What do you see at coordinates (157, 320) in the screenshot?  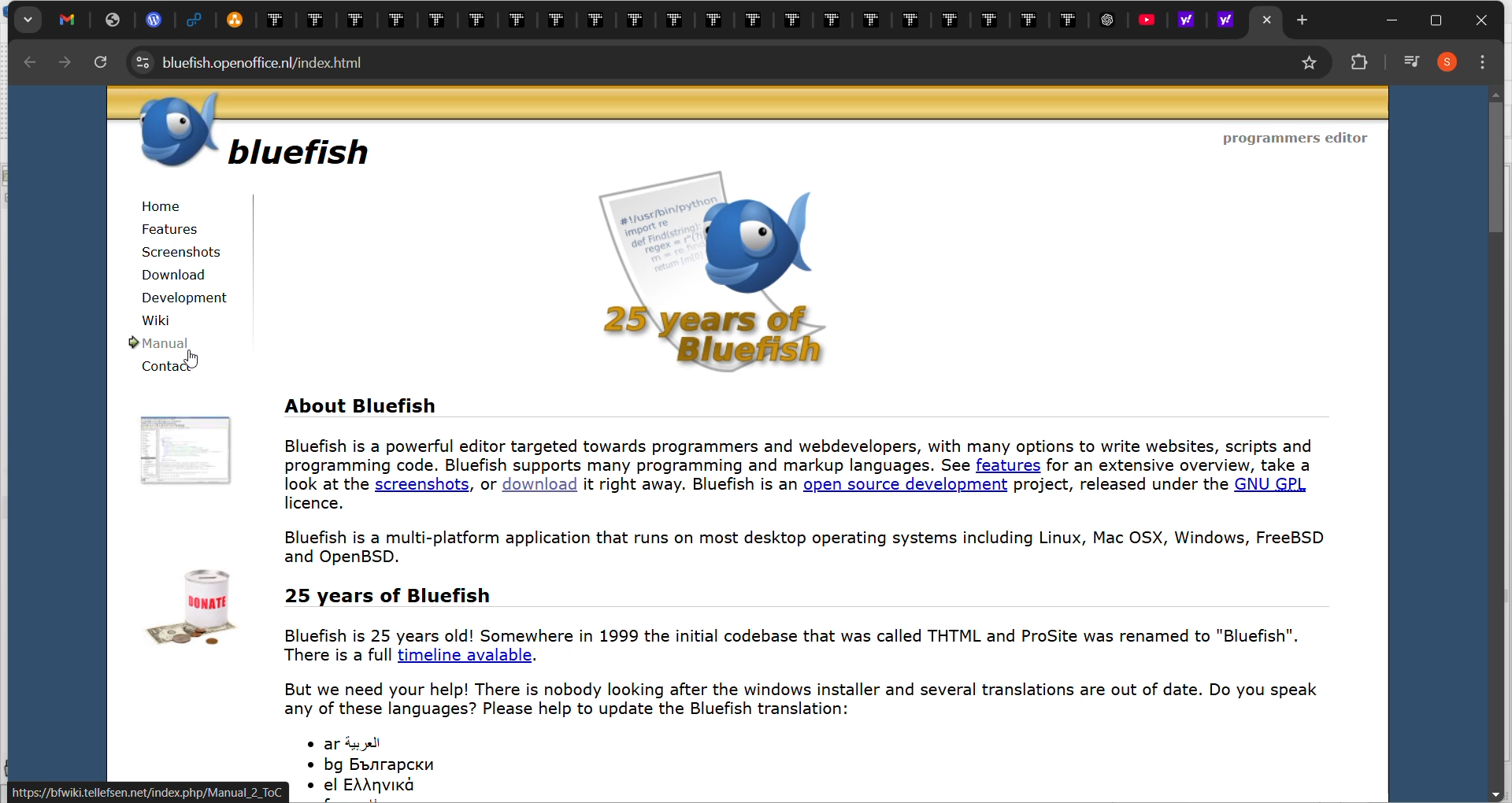 I see `wiki` at bounding box center [157, 320].